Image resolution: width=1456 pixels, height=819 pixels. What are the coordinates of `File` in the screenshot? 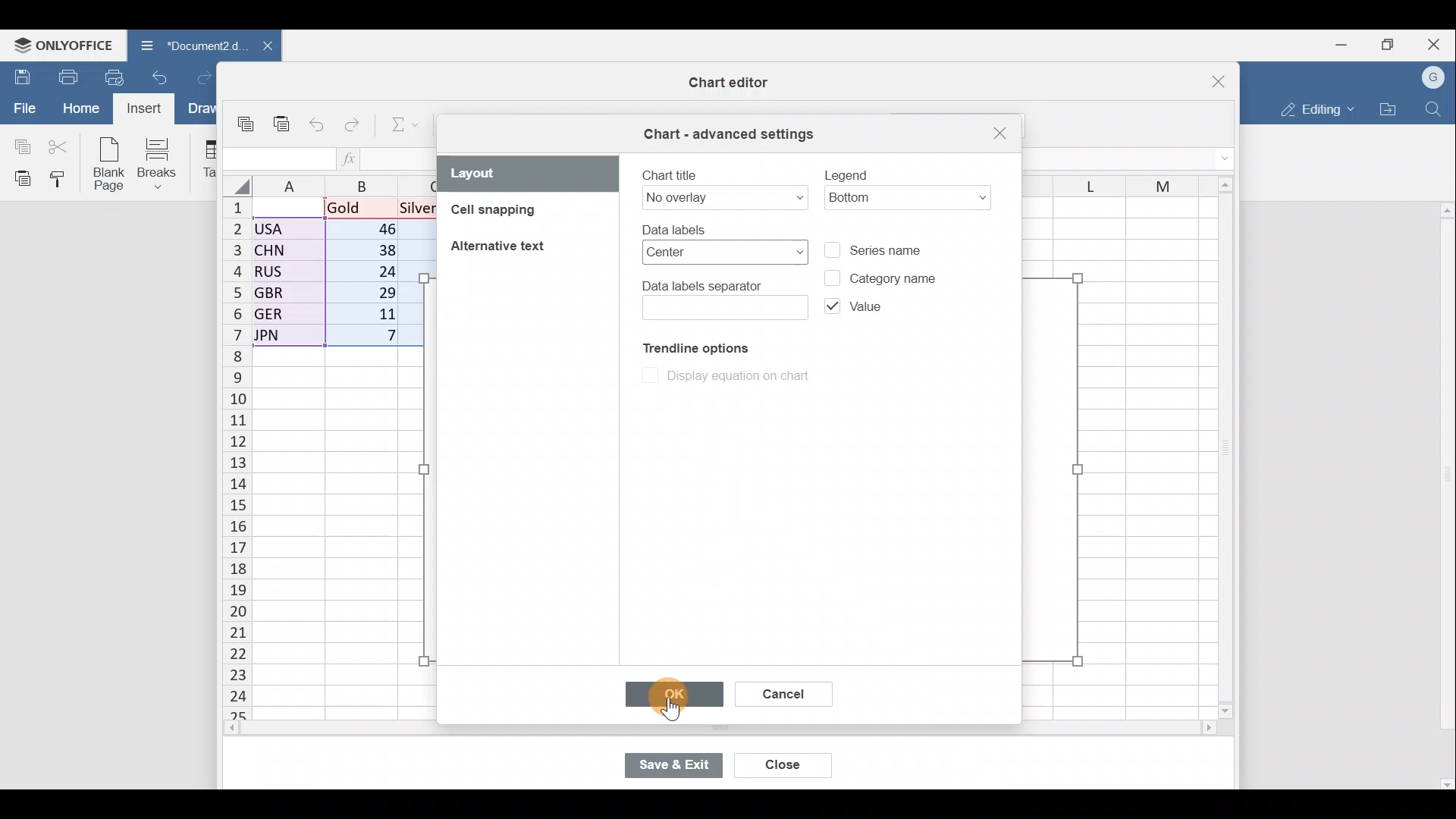 It's located at (23, 107).